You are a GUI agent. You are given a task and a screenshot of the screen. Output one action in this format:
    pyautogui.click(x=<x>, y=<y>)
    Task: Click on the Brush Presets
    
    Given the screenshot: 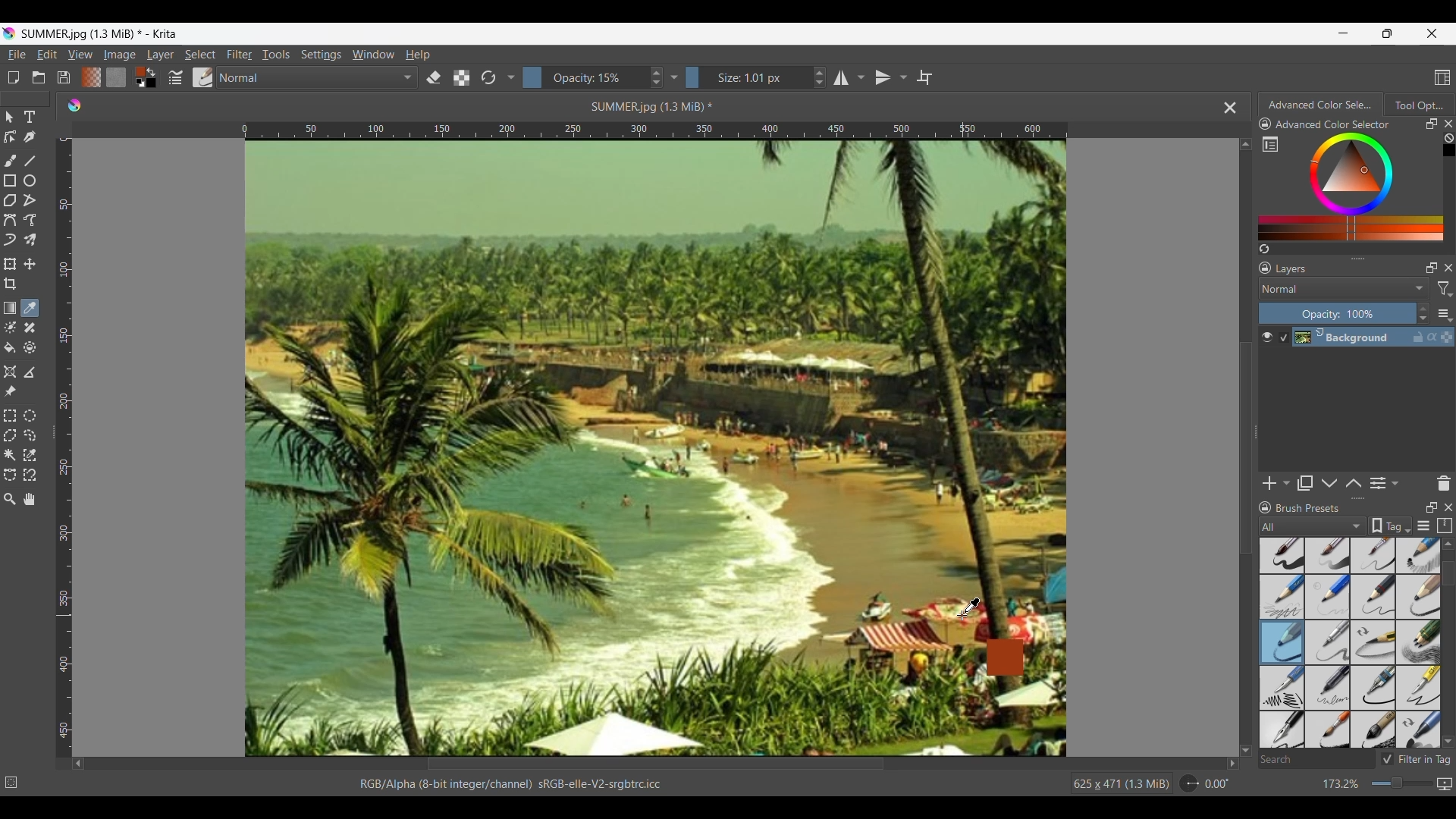 What is the action you would take?
    pyautogui.click(x=1308, y=508)
    